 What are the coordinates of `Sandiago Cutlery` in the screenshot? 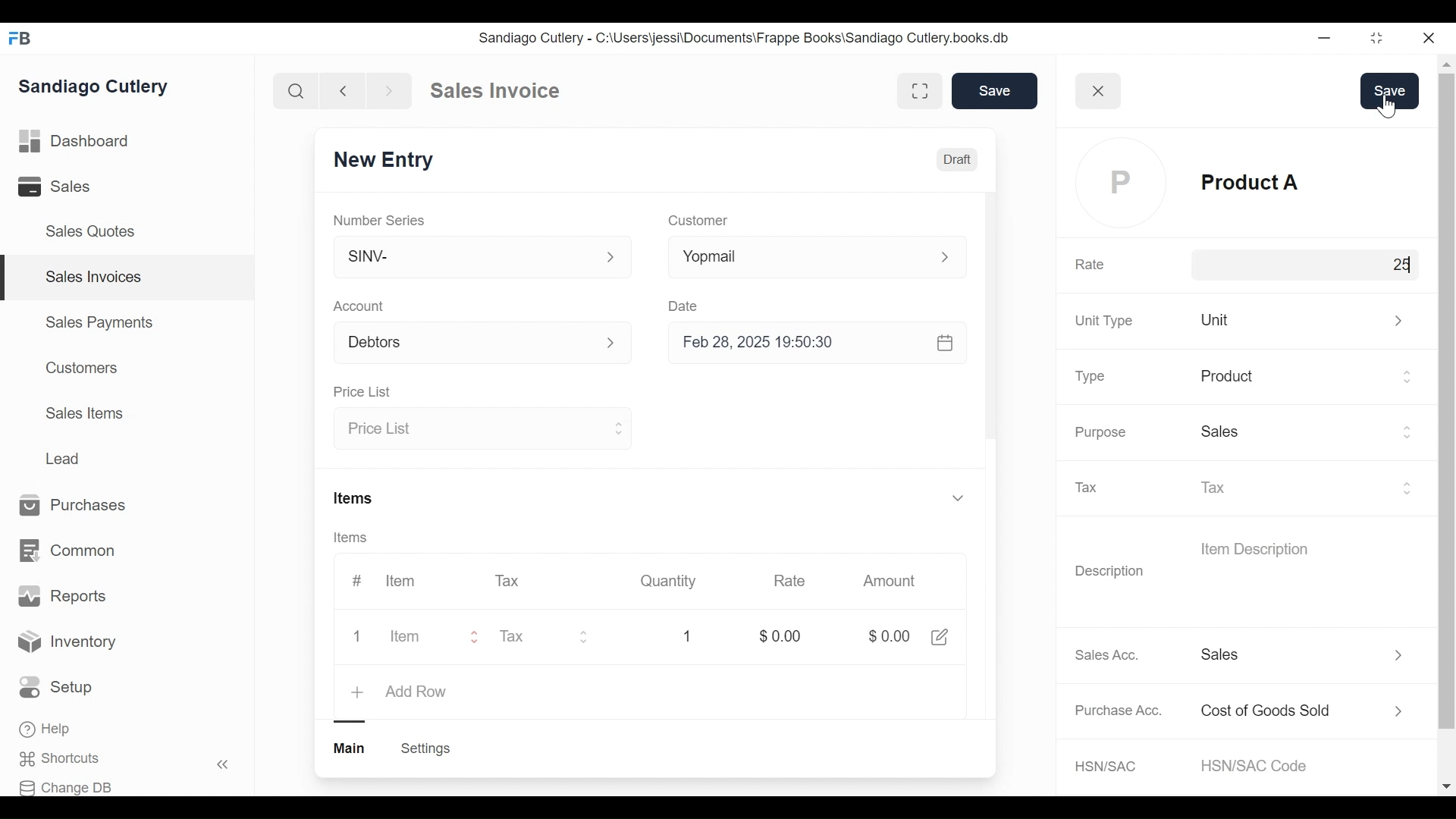 It's located at (98, 86).